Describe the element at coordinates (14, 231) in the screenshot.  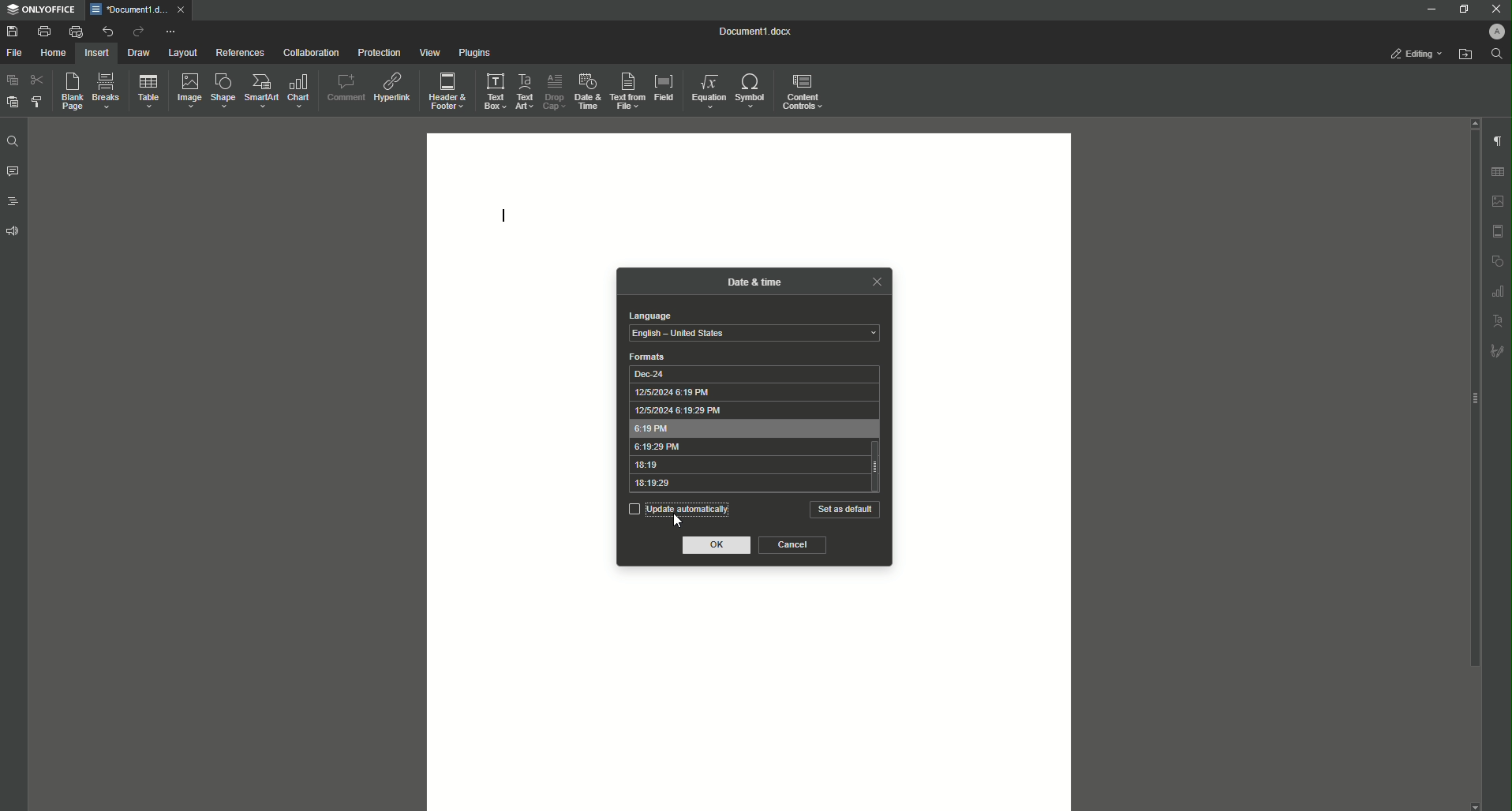
I see `Feedback` at that location.